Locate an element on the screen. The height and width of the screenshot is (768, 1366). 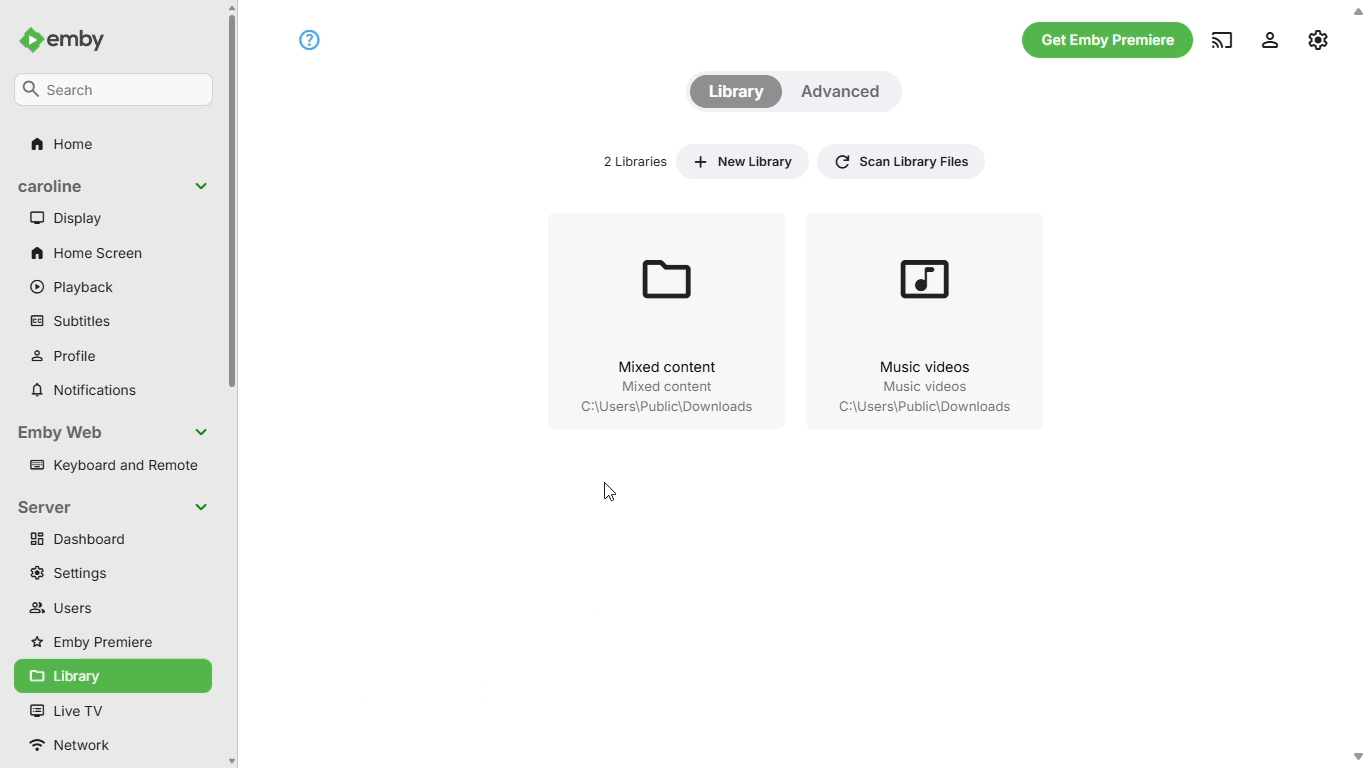
emby logo is located at coordinates (33, 39).